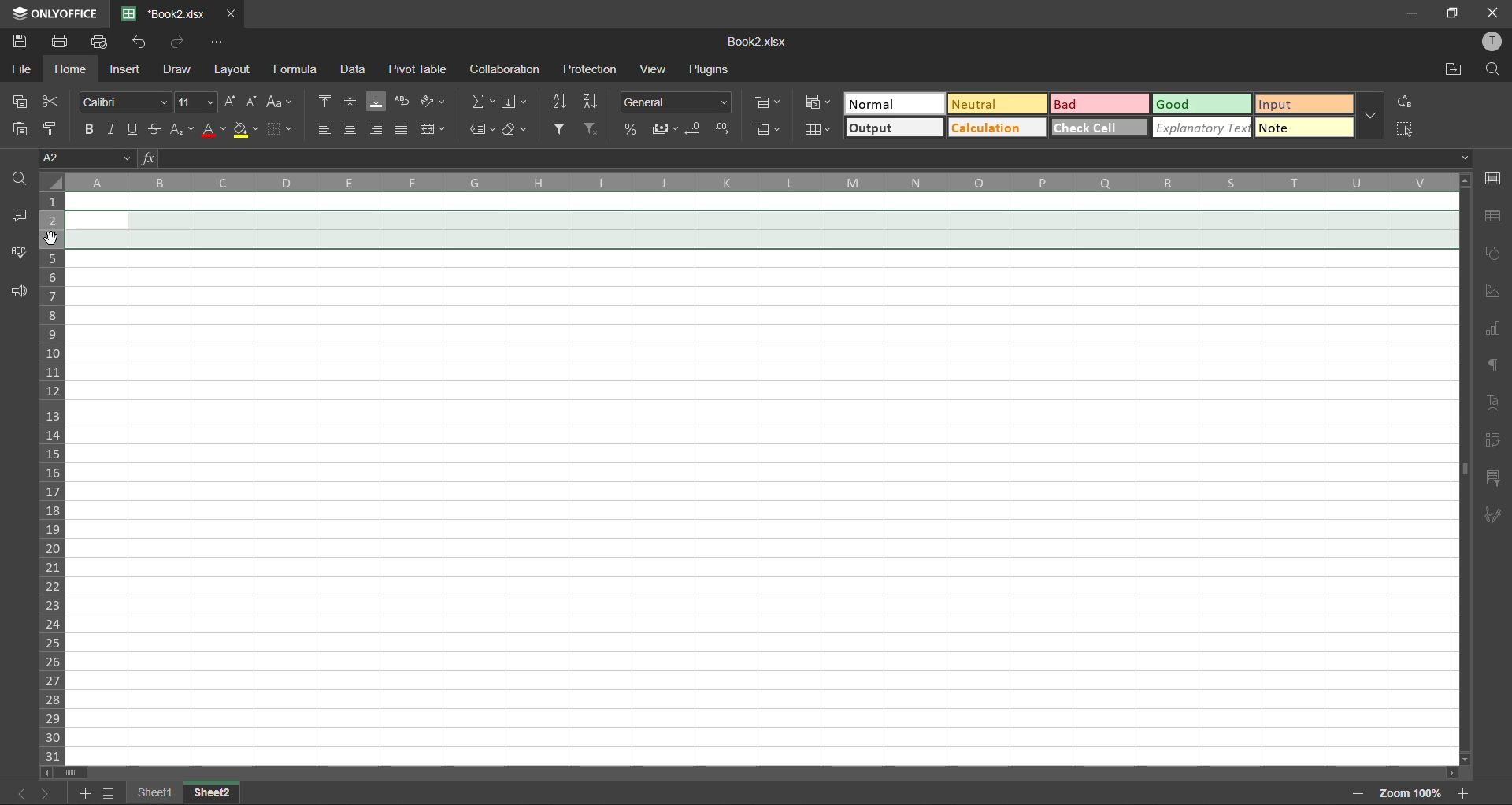  Describe the element at coordinates (353, 69) in the screenshot. I see `data` at that location.